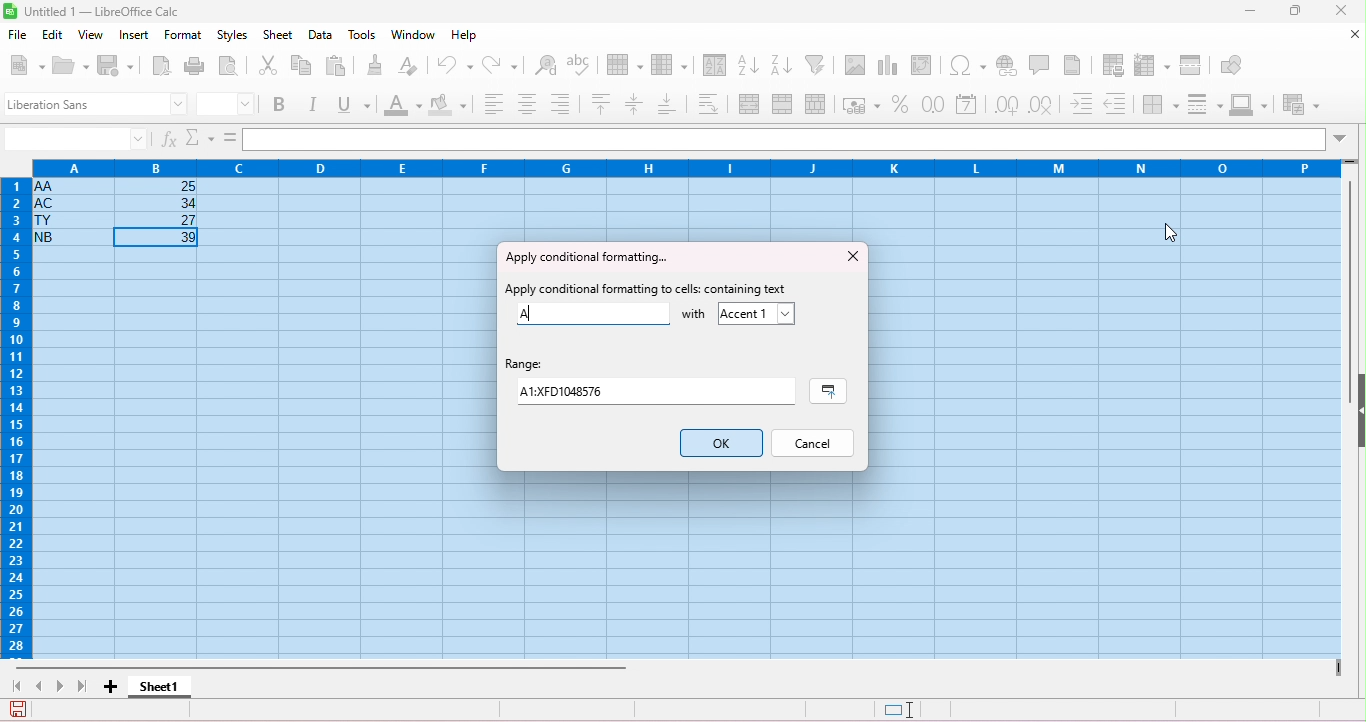 This screenshot has width=1366, height=722. I want to click on cancel, so click(817, 445).